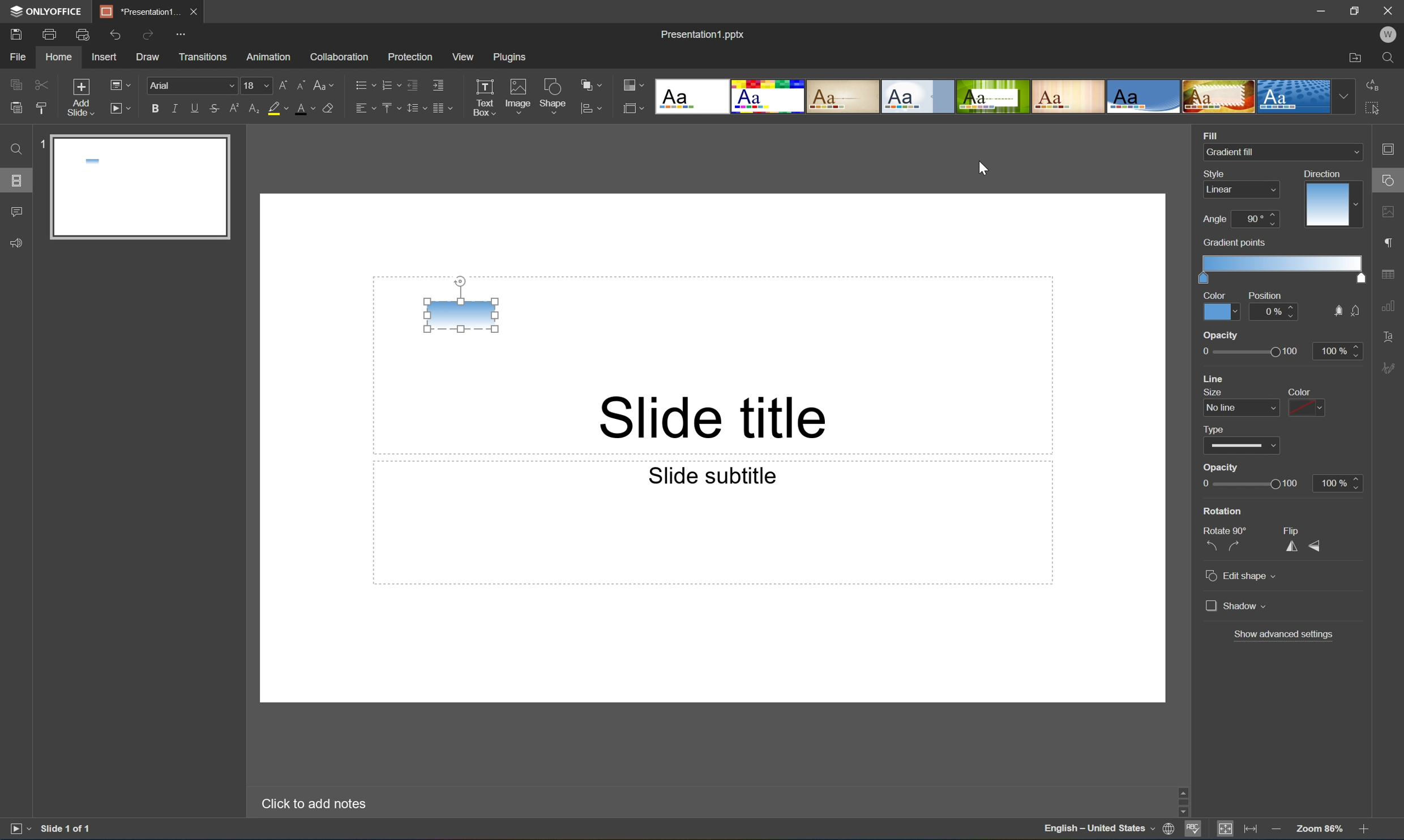  I want to click on Text Box, so click(483, 97).